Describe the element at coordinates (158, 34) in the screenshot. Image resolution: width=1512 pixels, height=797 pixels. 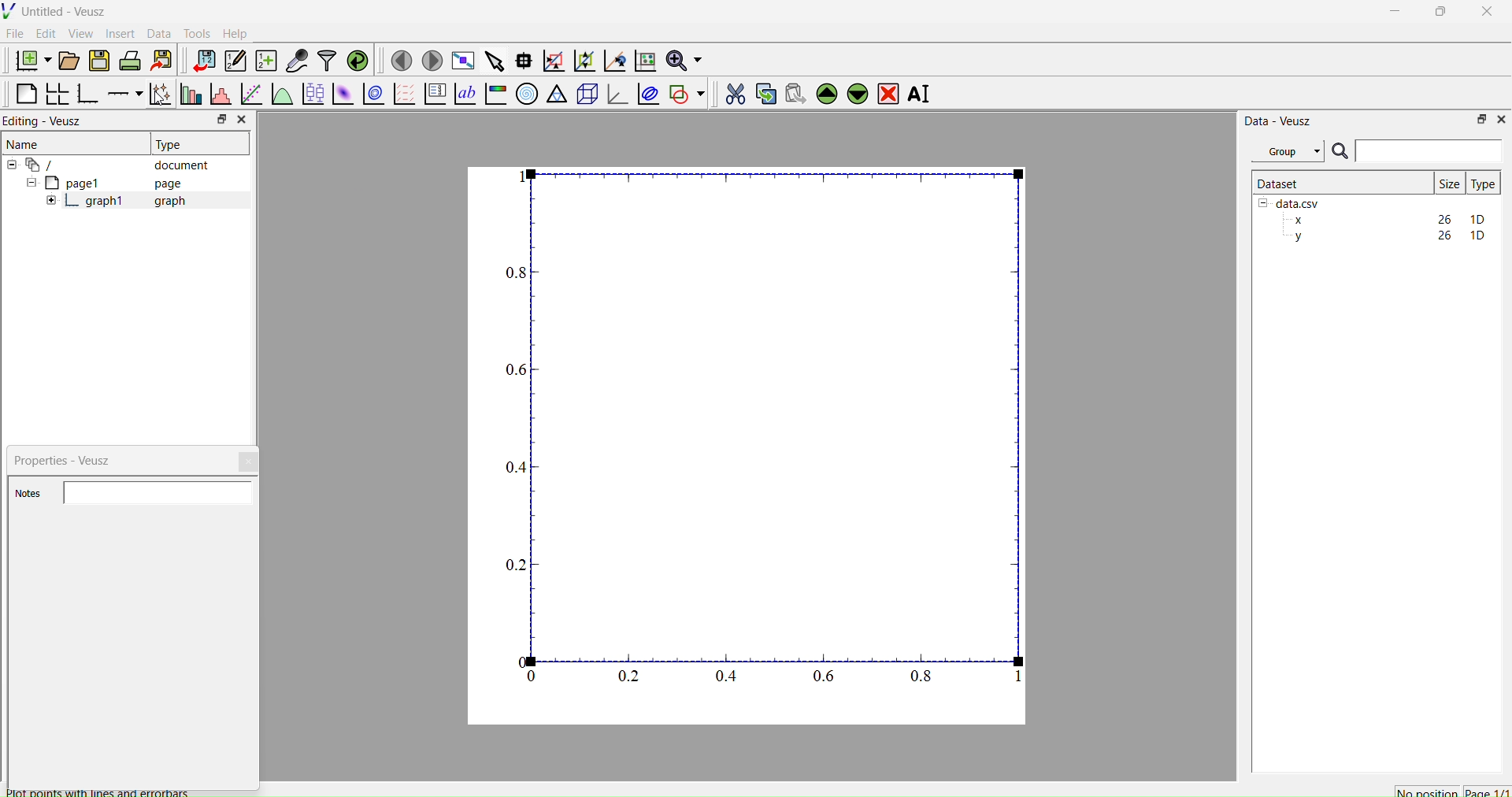
I see `Data` at that location.